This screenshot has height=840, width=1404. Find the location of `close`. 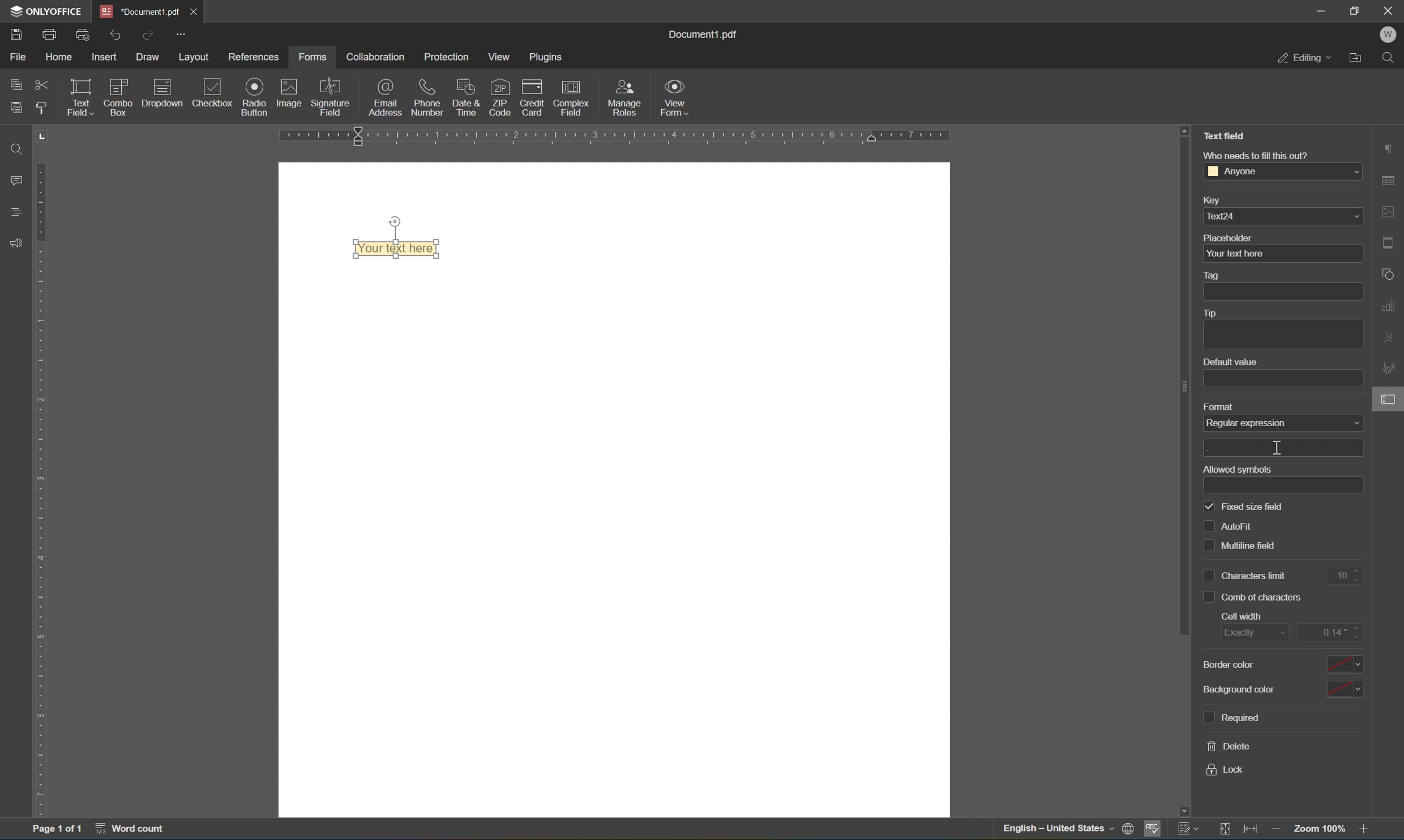

close is located at coordinates (192, 11).